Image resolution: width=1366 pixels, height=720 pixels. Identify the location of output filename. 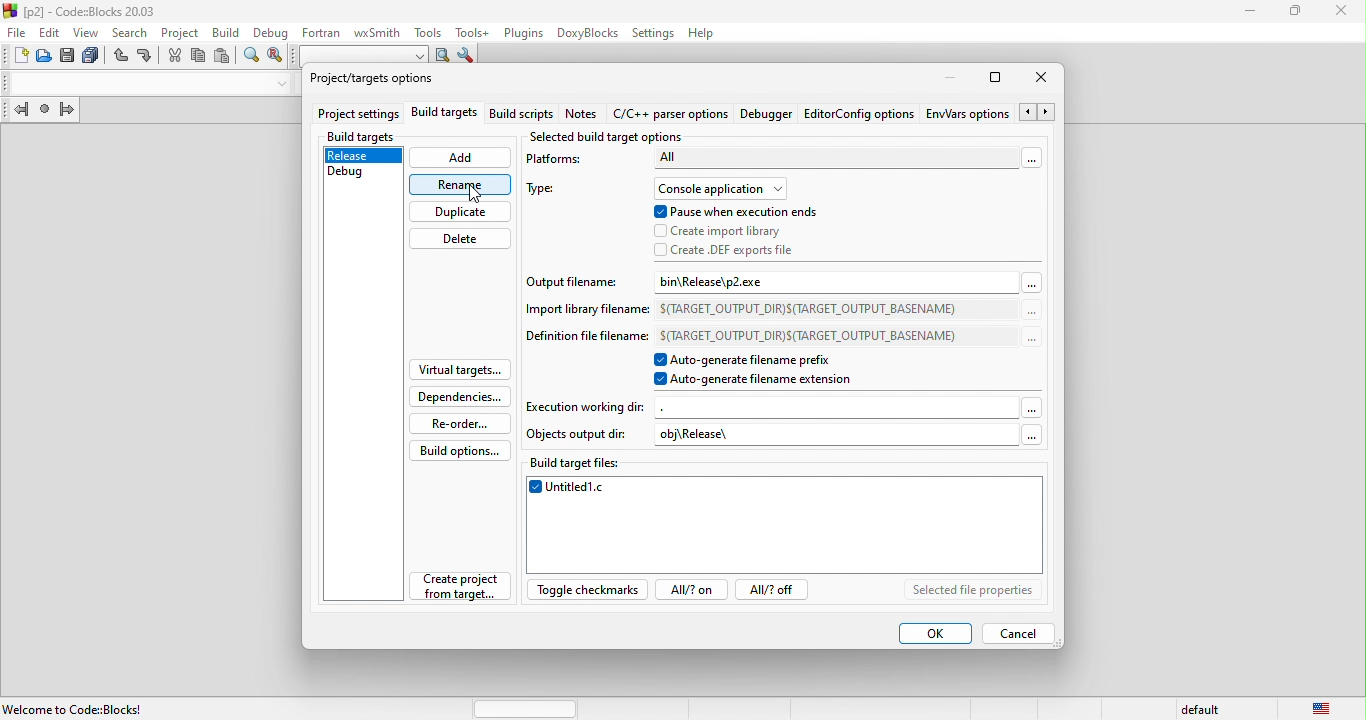
(575, 286).